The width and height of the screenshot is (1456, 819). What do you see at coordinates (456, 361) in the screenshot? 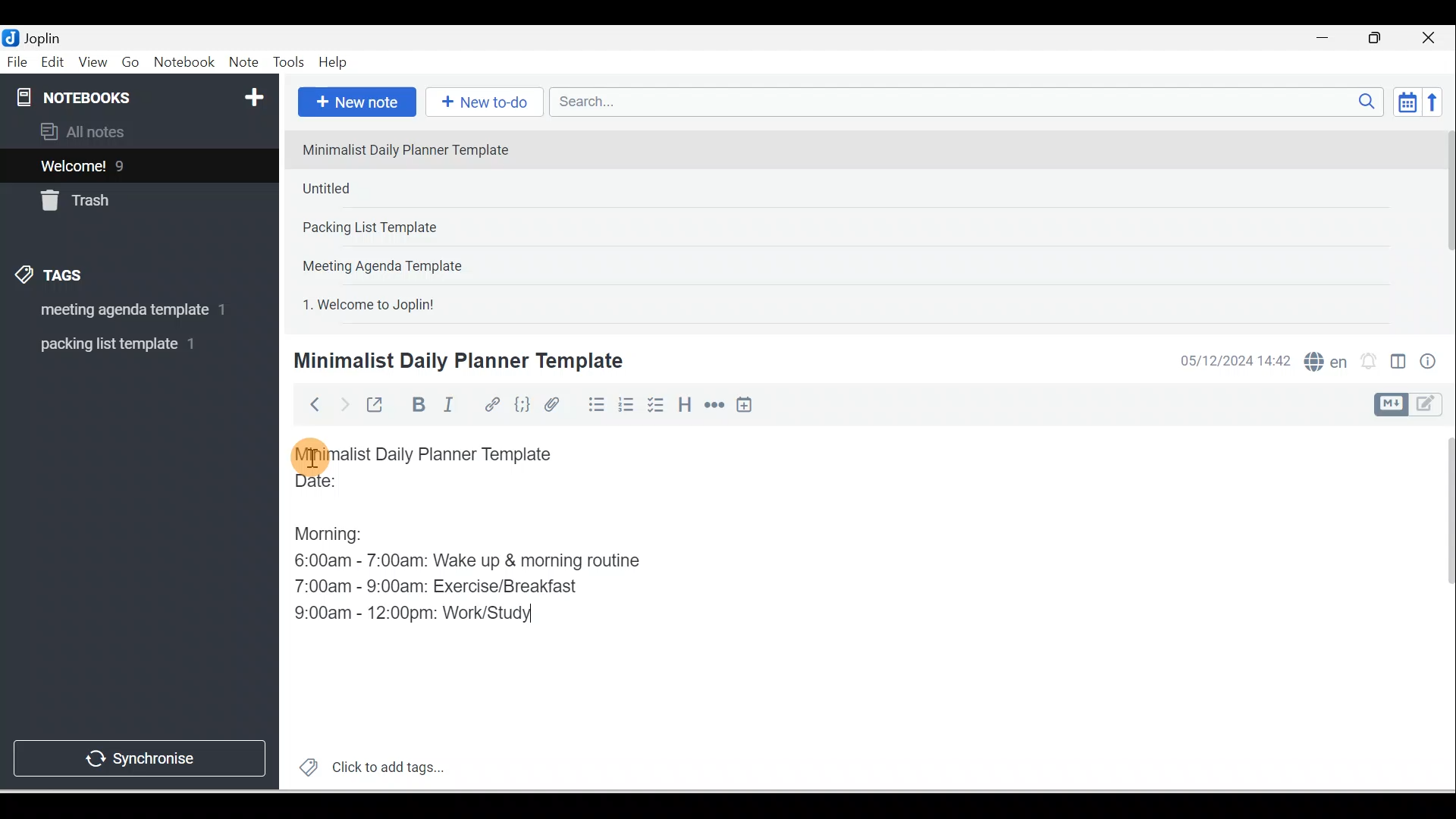
I see `Minimalist Daily Planner Template` at bounding box center [456, 361].